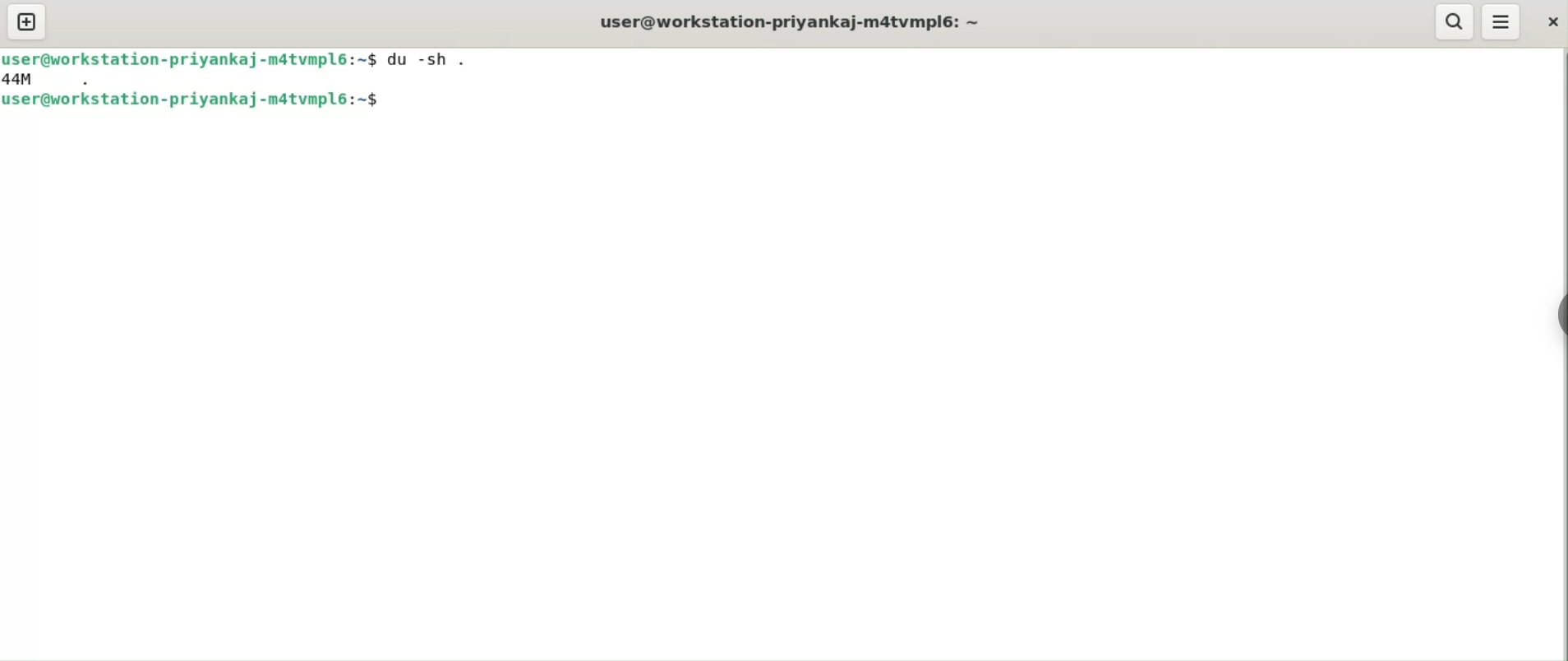  Describe the element at coordinates (786, 22) in the screenshot. I see `user@workstation-priyankaj-m4tvmlp6:~` at that location.